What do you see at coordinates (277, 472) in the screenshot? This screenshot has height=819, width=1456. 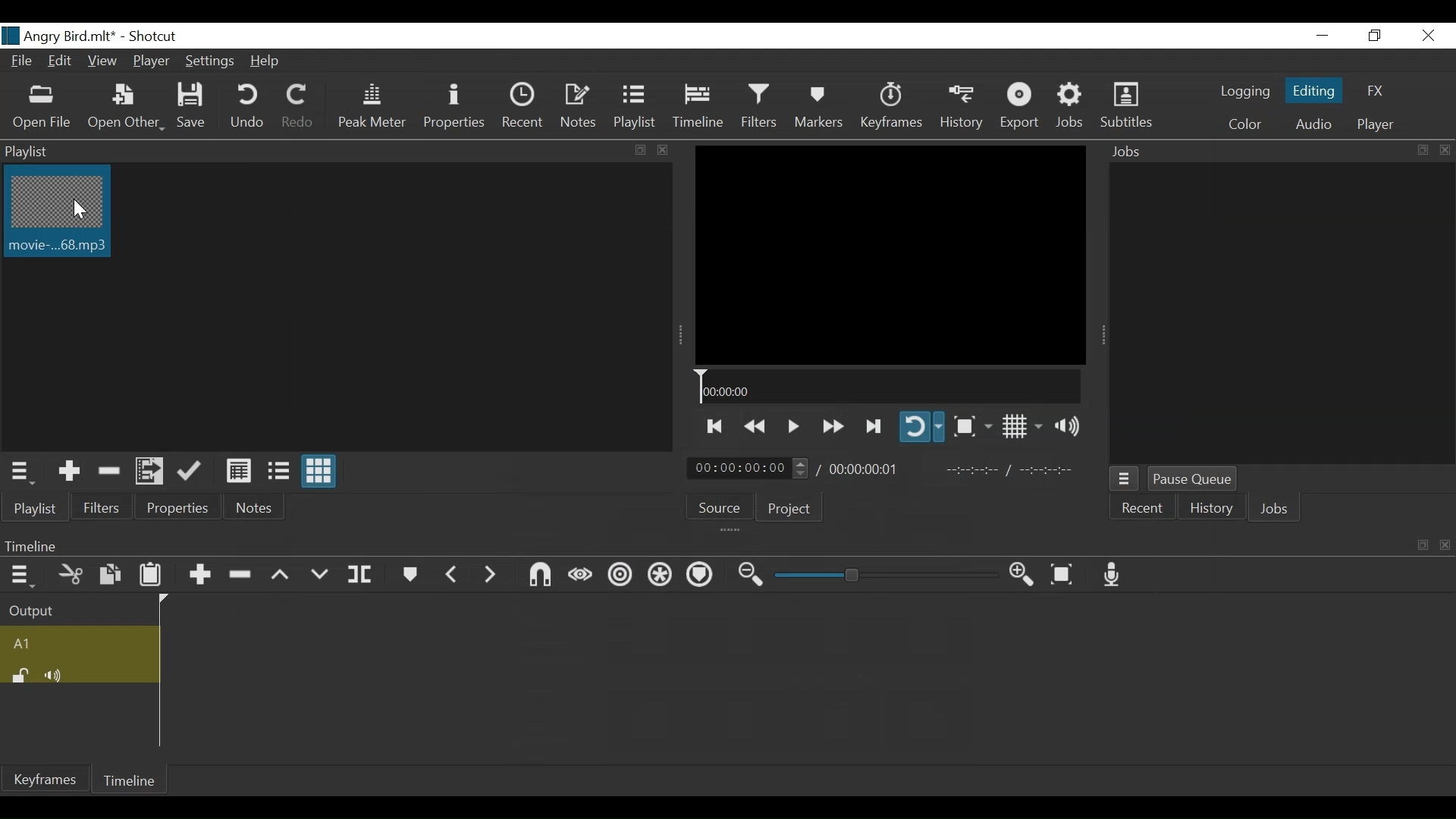 I see `View as files` at bounding box center [277, 472].